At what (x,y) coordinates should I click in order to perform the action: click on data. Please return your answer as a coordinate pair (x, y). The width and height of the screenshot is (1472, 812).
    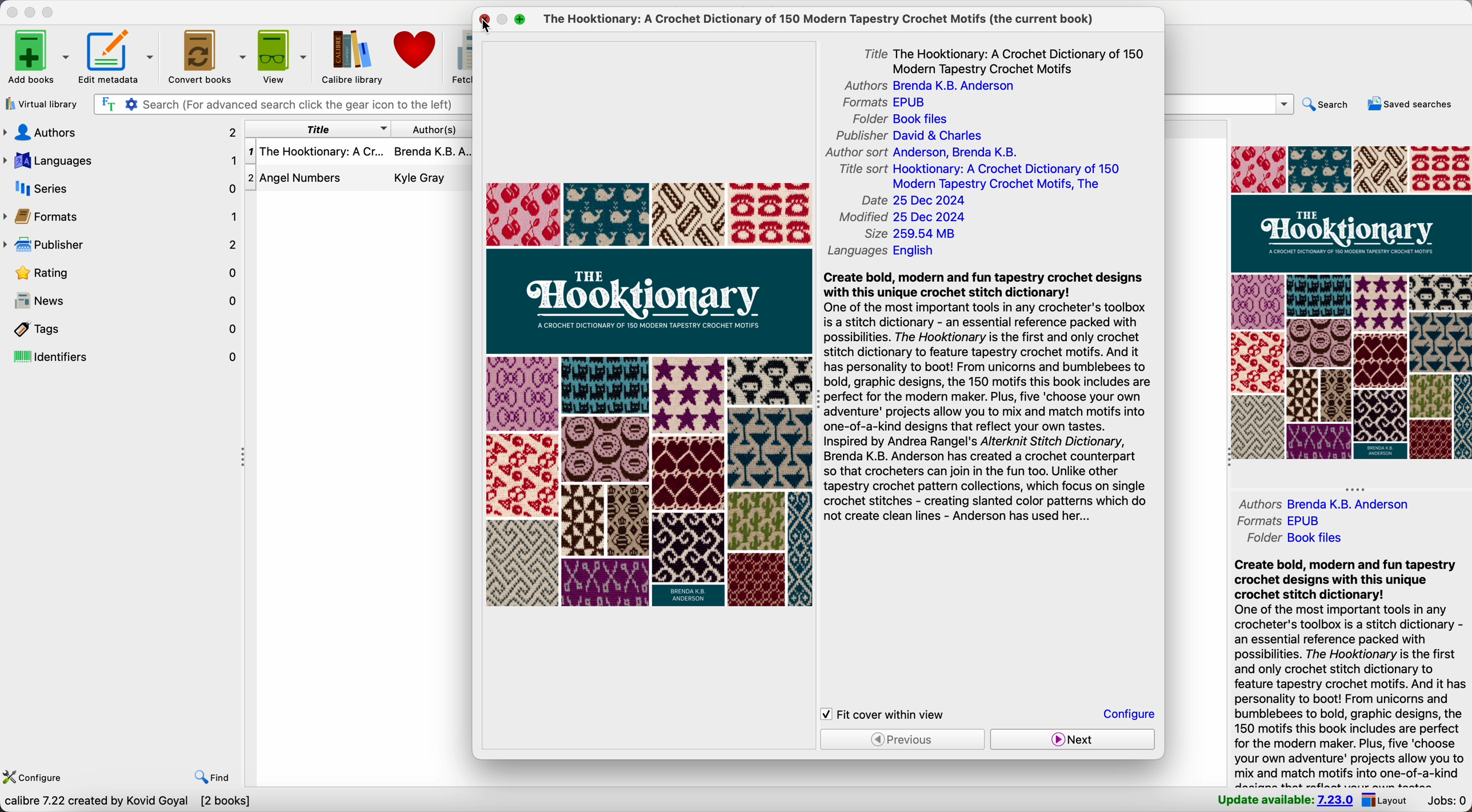
    Looking at the image, I should click on (127, 802).